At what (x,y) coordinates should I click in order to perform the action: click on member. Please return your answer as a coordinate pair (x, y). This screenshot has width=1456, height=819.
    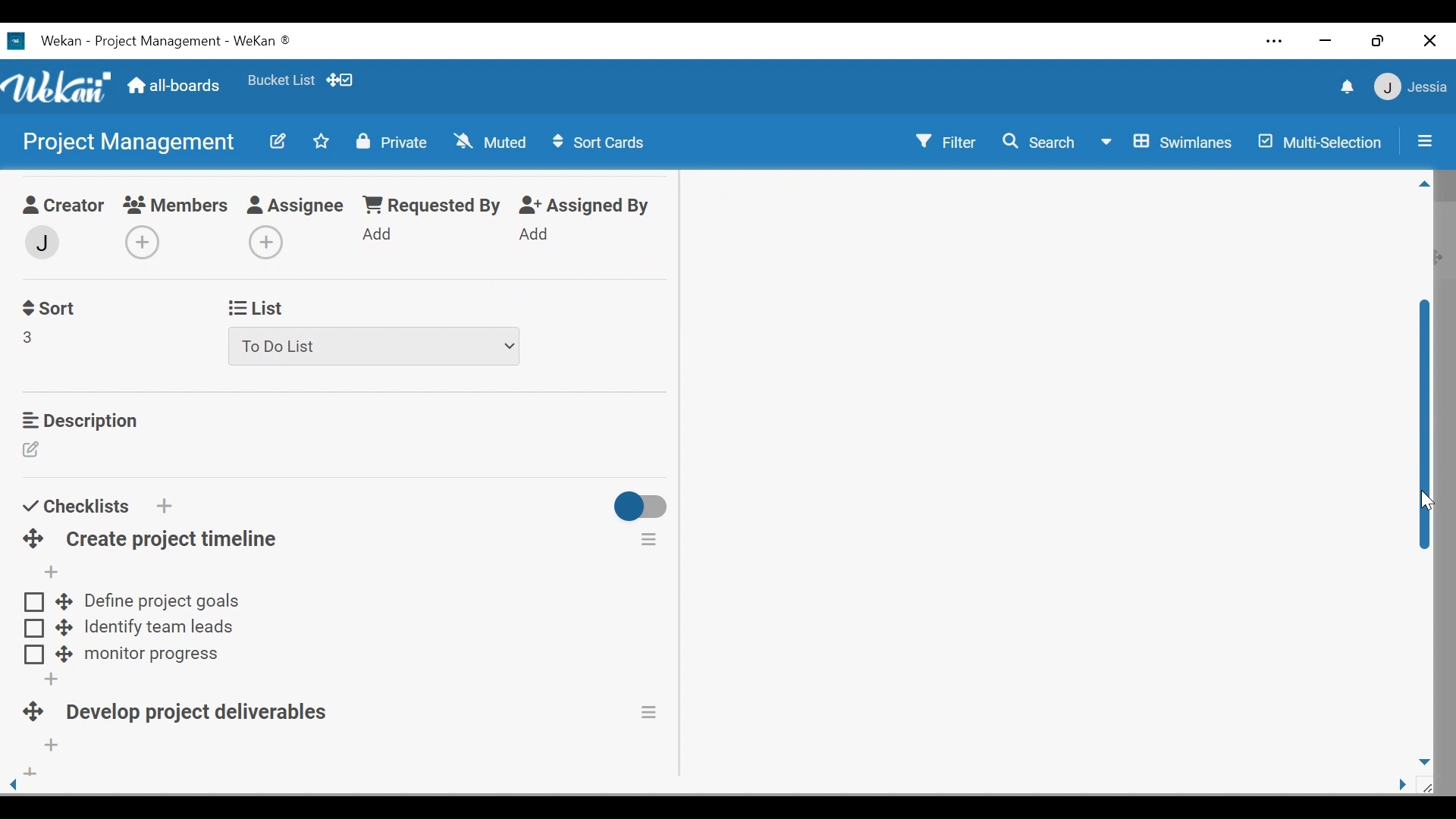
    Looking at the image, I should click on (40, 243).